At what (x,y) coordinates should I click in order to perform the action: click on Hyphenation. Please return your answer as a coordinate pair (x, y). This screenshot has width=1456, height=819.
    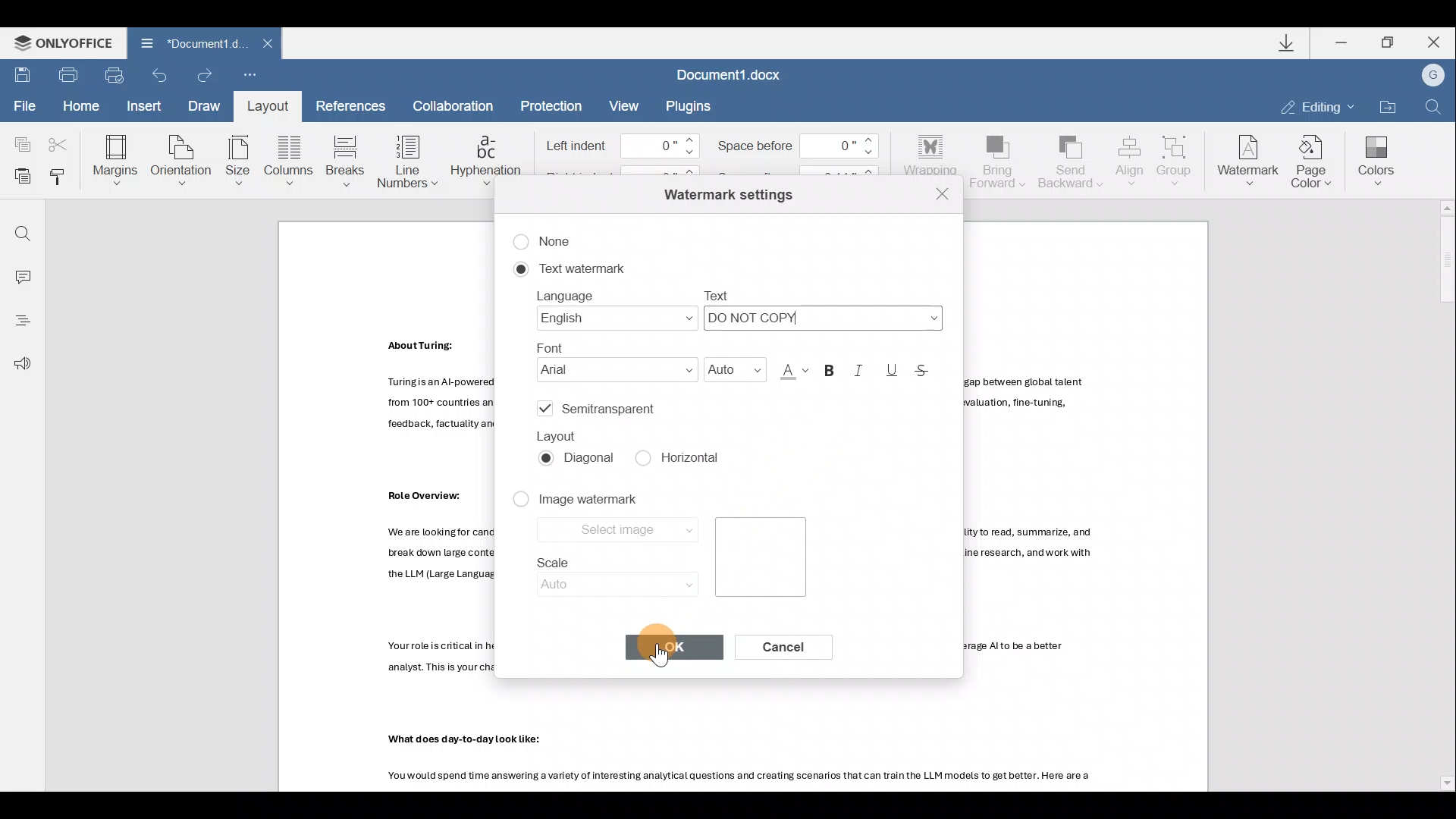
    Looking at the image, I should click on (488, 162).